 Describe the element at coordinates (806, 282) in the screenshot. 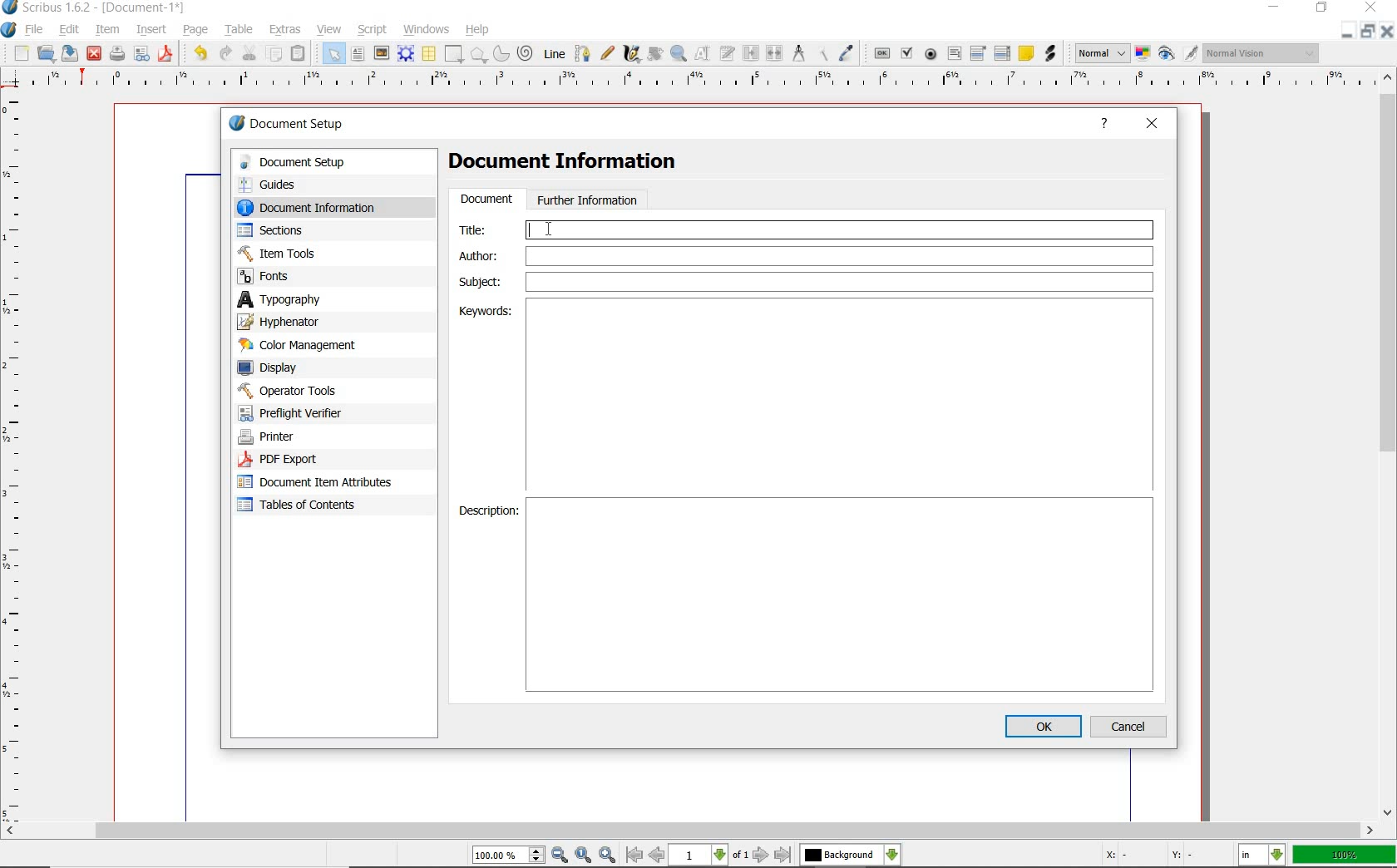

I see `Subject` at that location.